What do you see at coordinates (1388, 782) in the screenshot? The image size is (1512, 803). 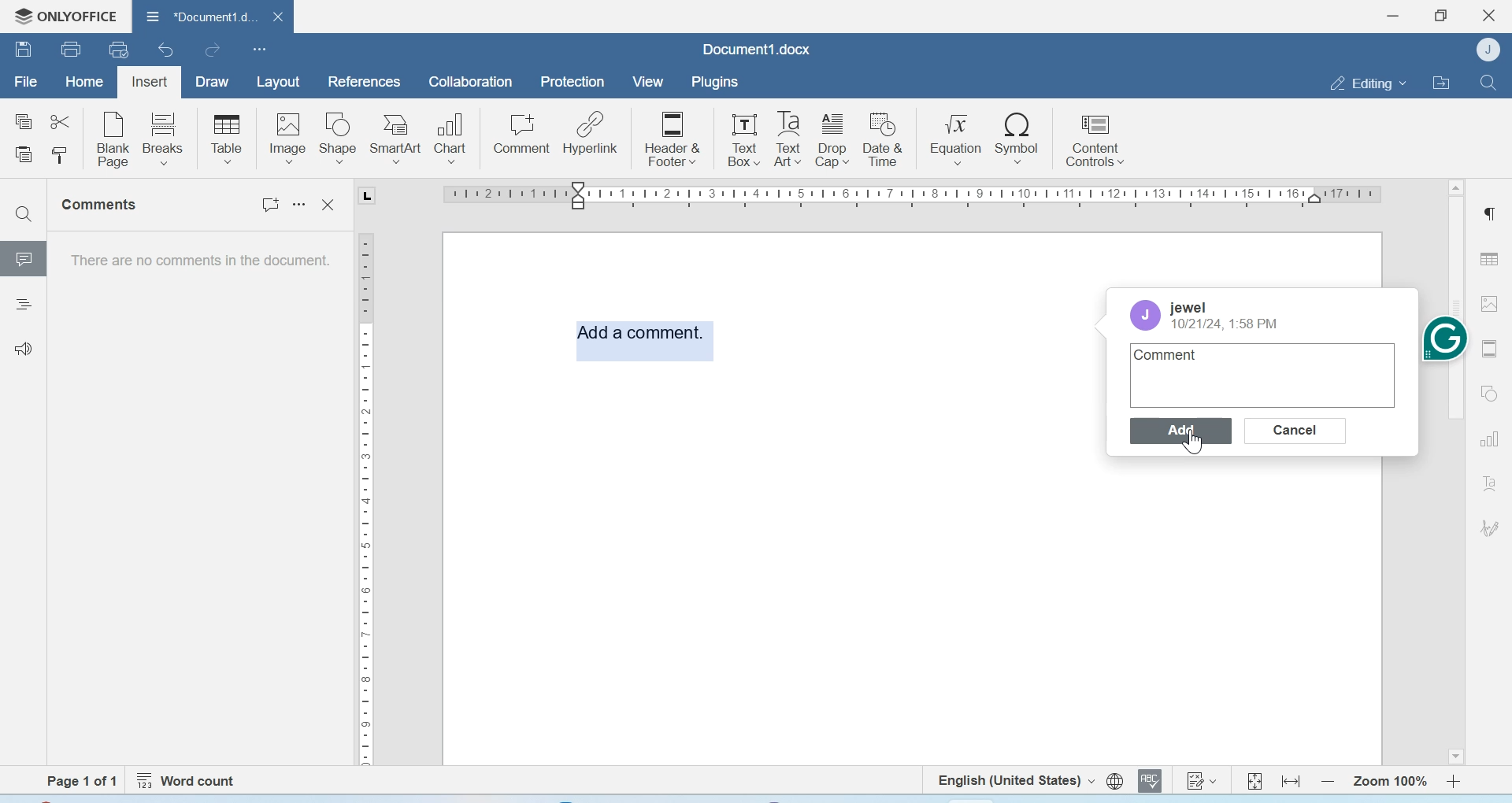 I see `Zoom` at bounding box center [1388, 782].